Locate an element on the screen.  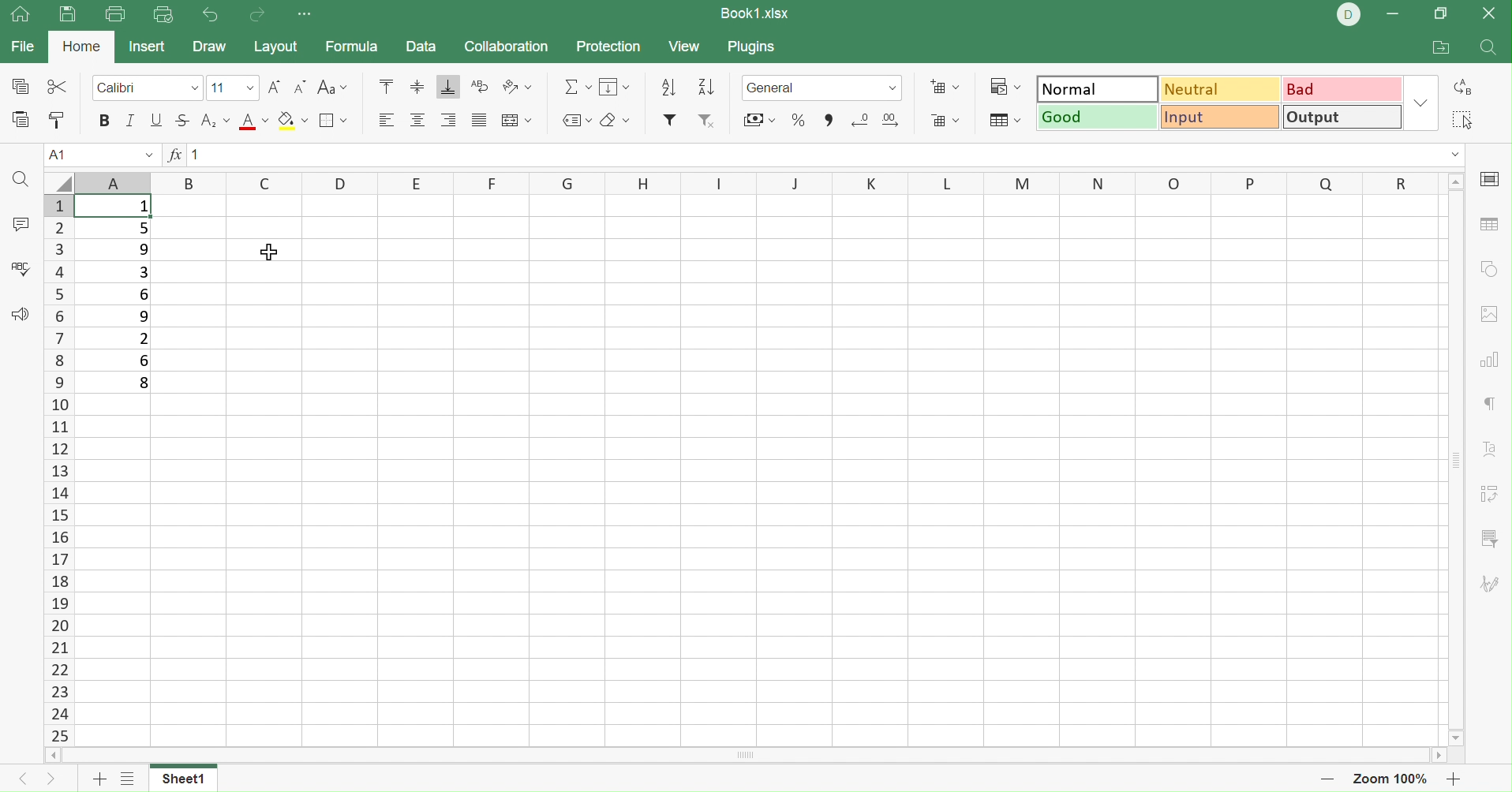
Sheet1 is located at coordinates (185, 780).